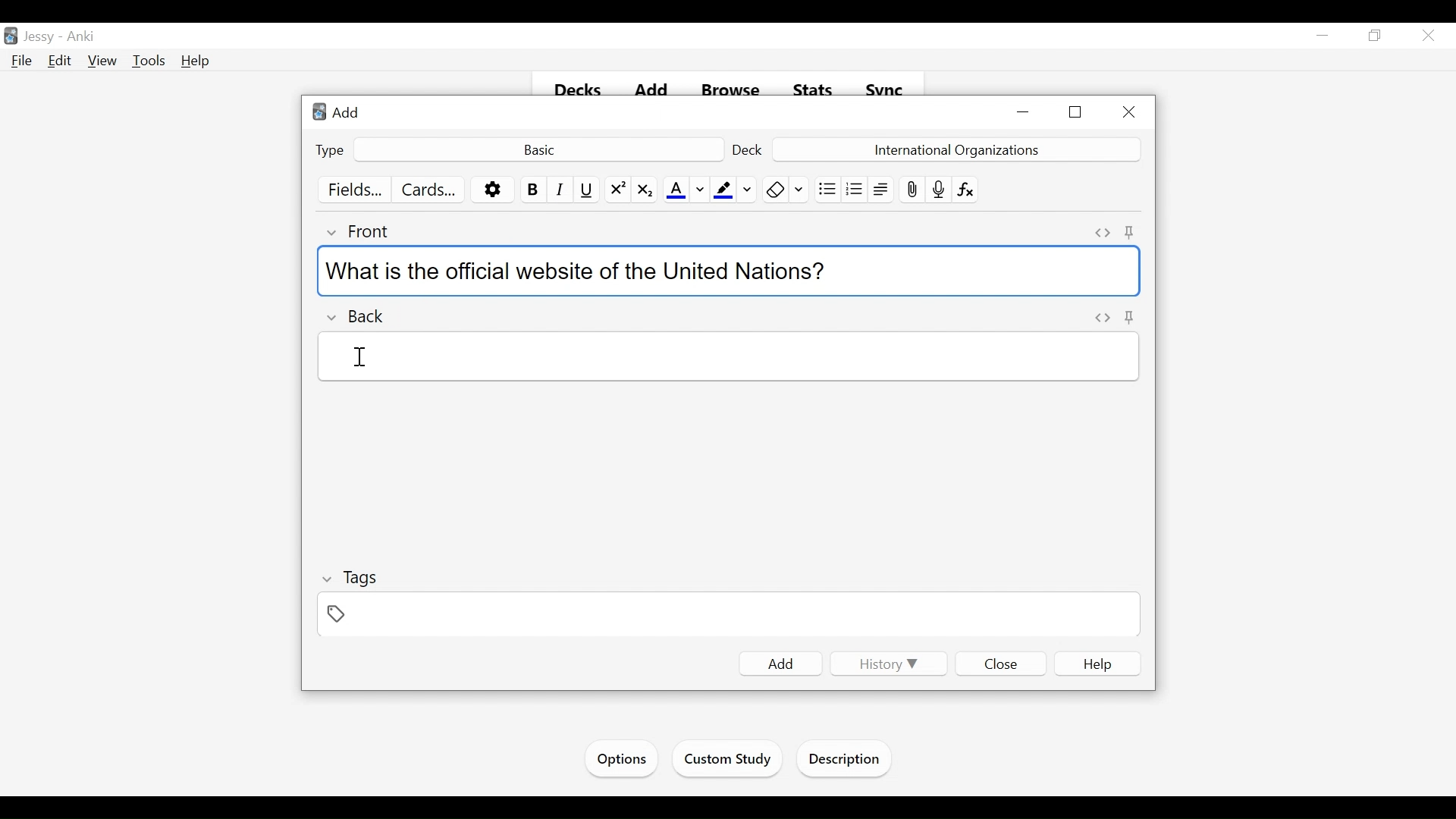  Describe the element at coordinates (349, 189) in the screenshot. I see `Fields` at that location.